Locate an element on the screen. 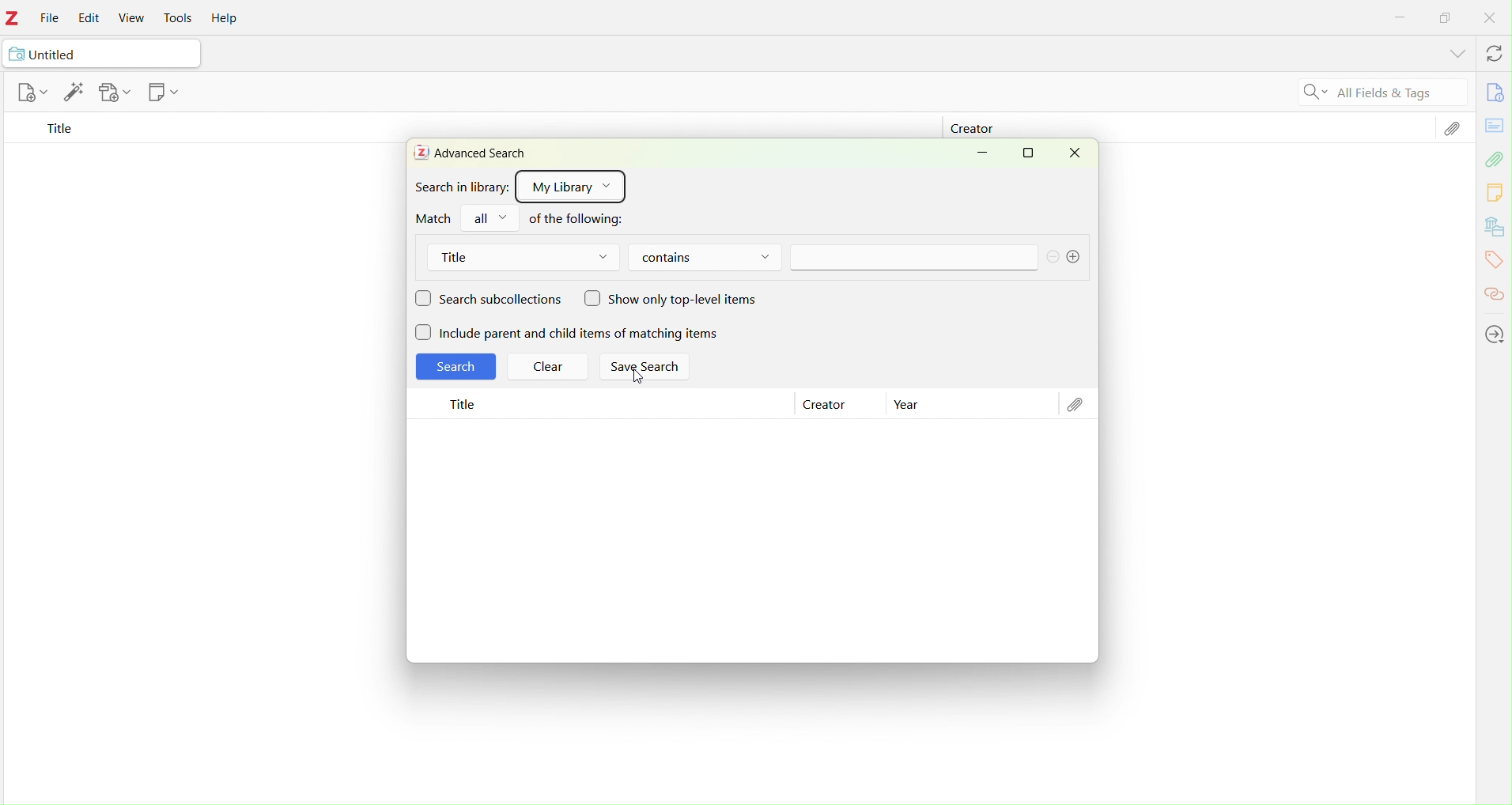 The width and height of the screenshot is (1512, 805). Clear is located at coordinates (552, 368).